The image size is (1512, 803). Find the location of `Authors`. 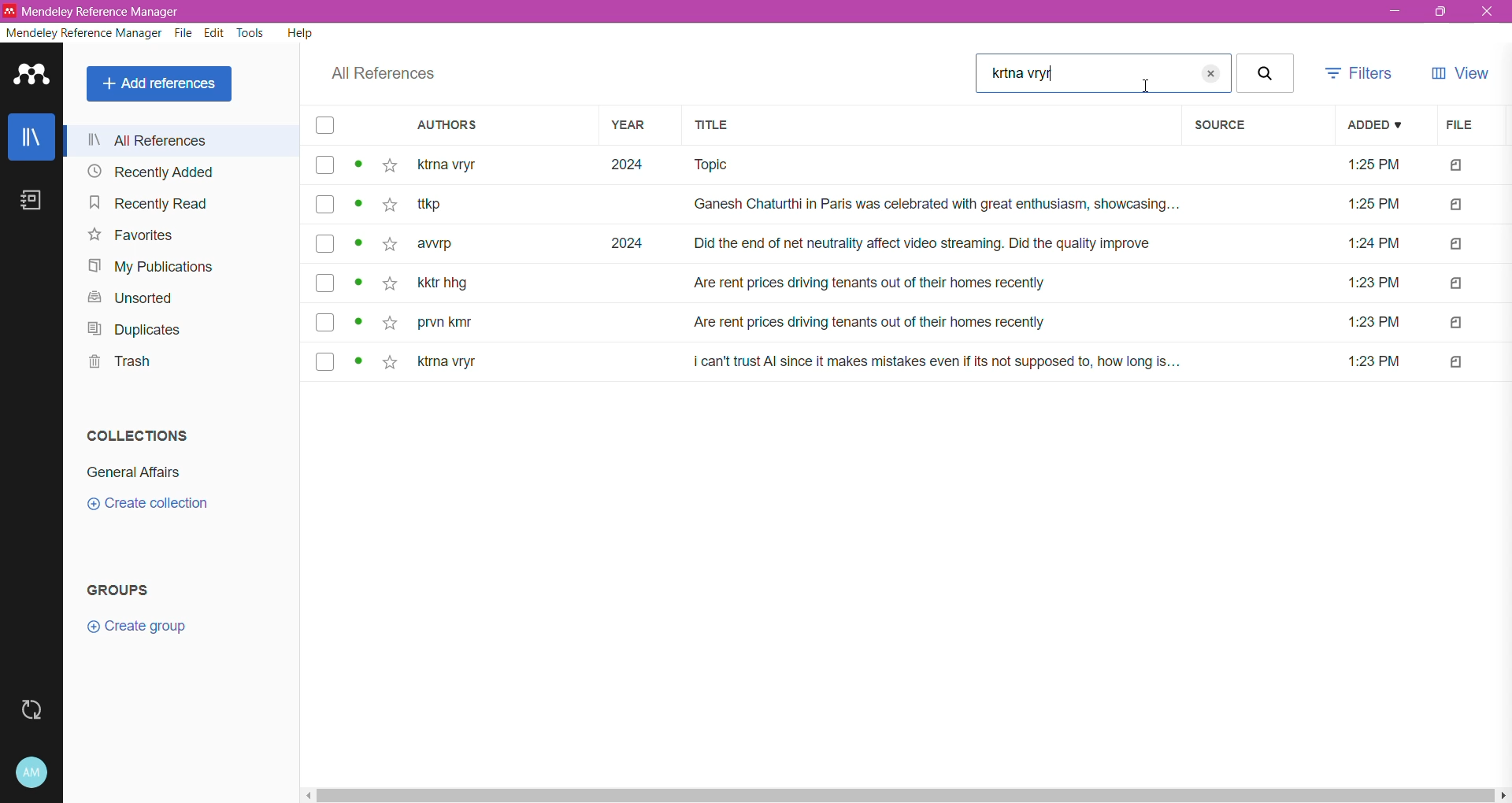

Authors is located at coordinates (491, 127).